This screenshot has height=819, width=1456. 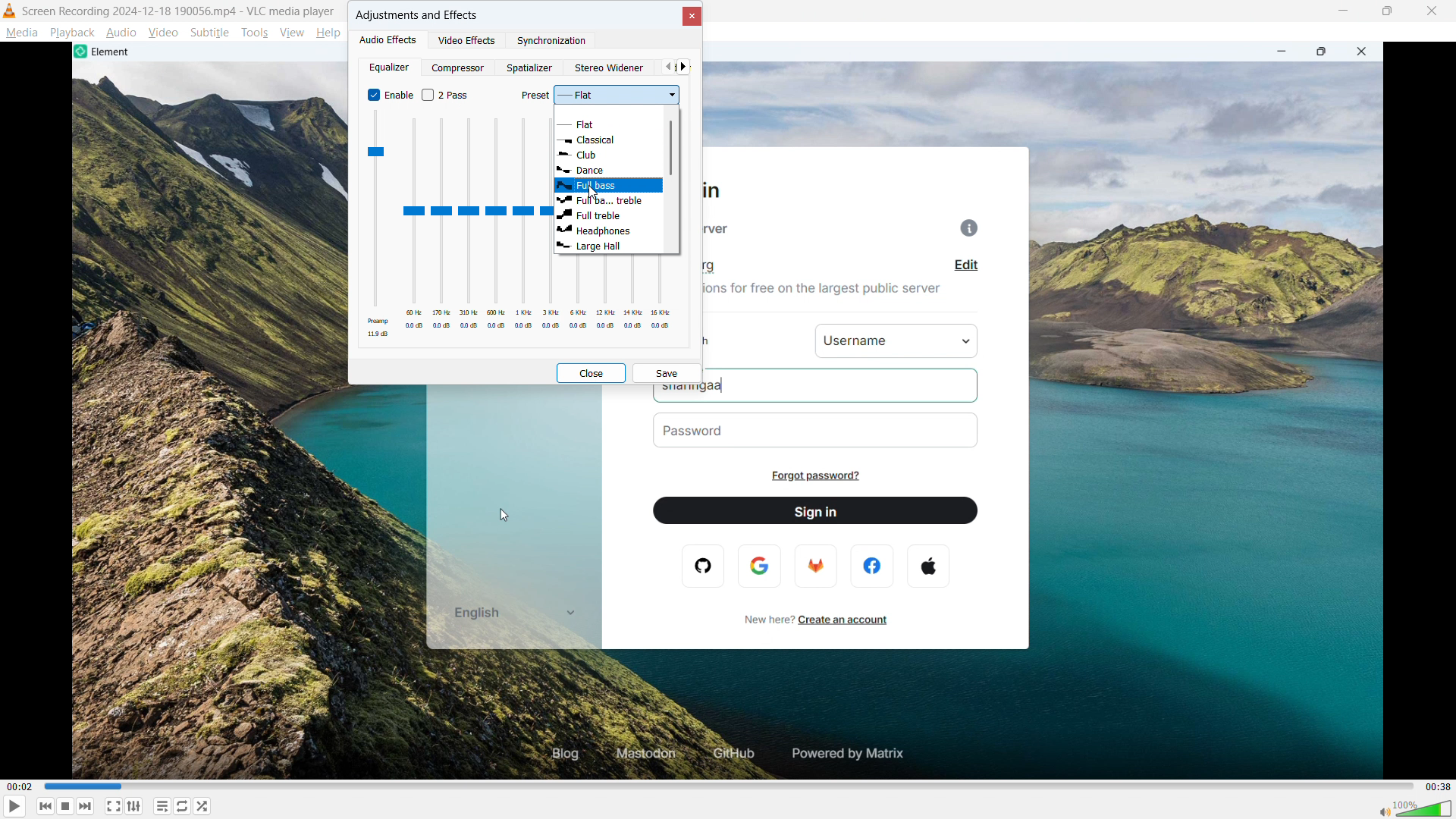 I want to click on View , so click(x=291, y=33).